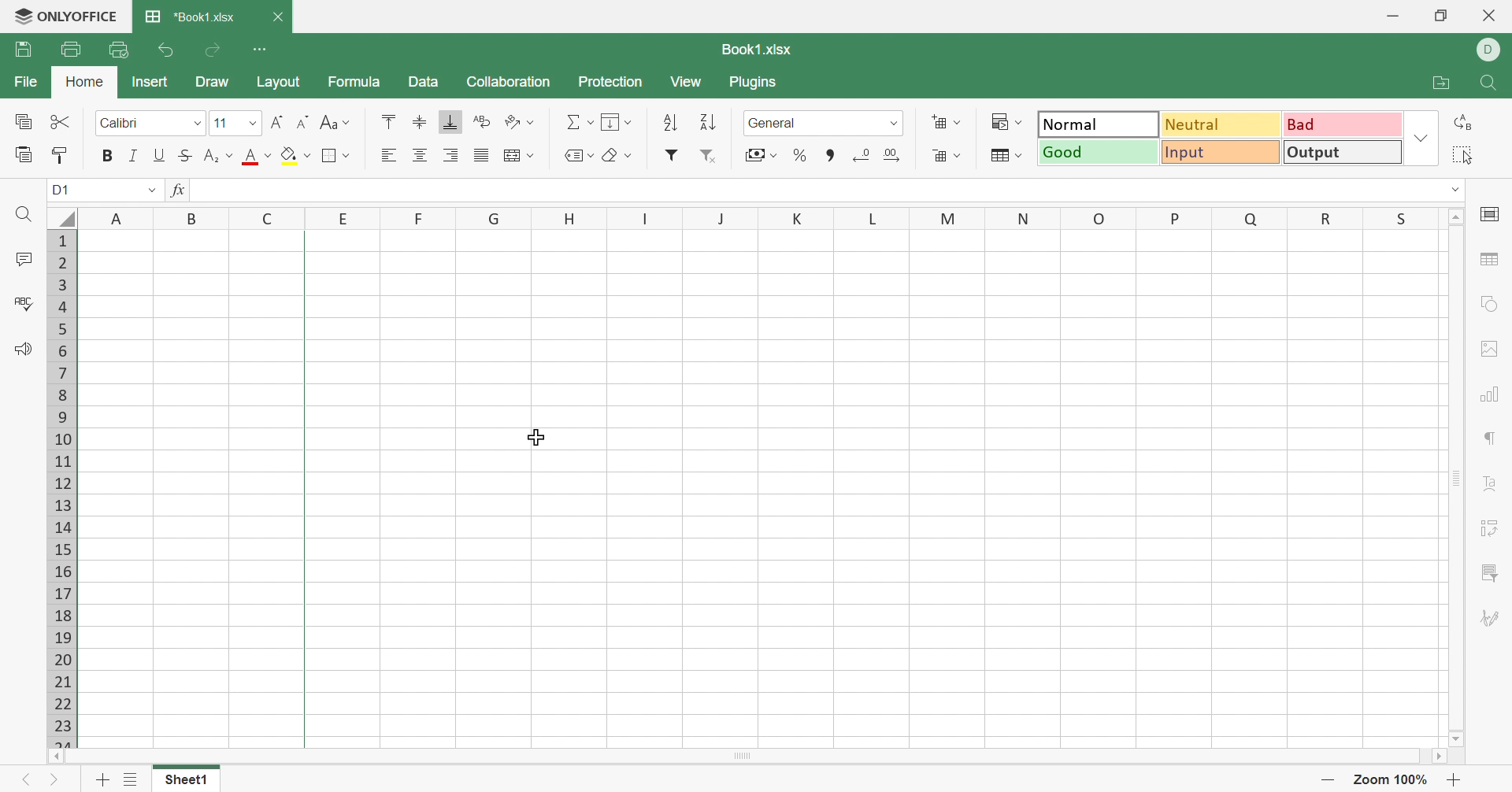  What do you see at coordinates (1456, 477) in the screenshot?
I see `Scroll Bar` at bounding box center [1456, 477].